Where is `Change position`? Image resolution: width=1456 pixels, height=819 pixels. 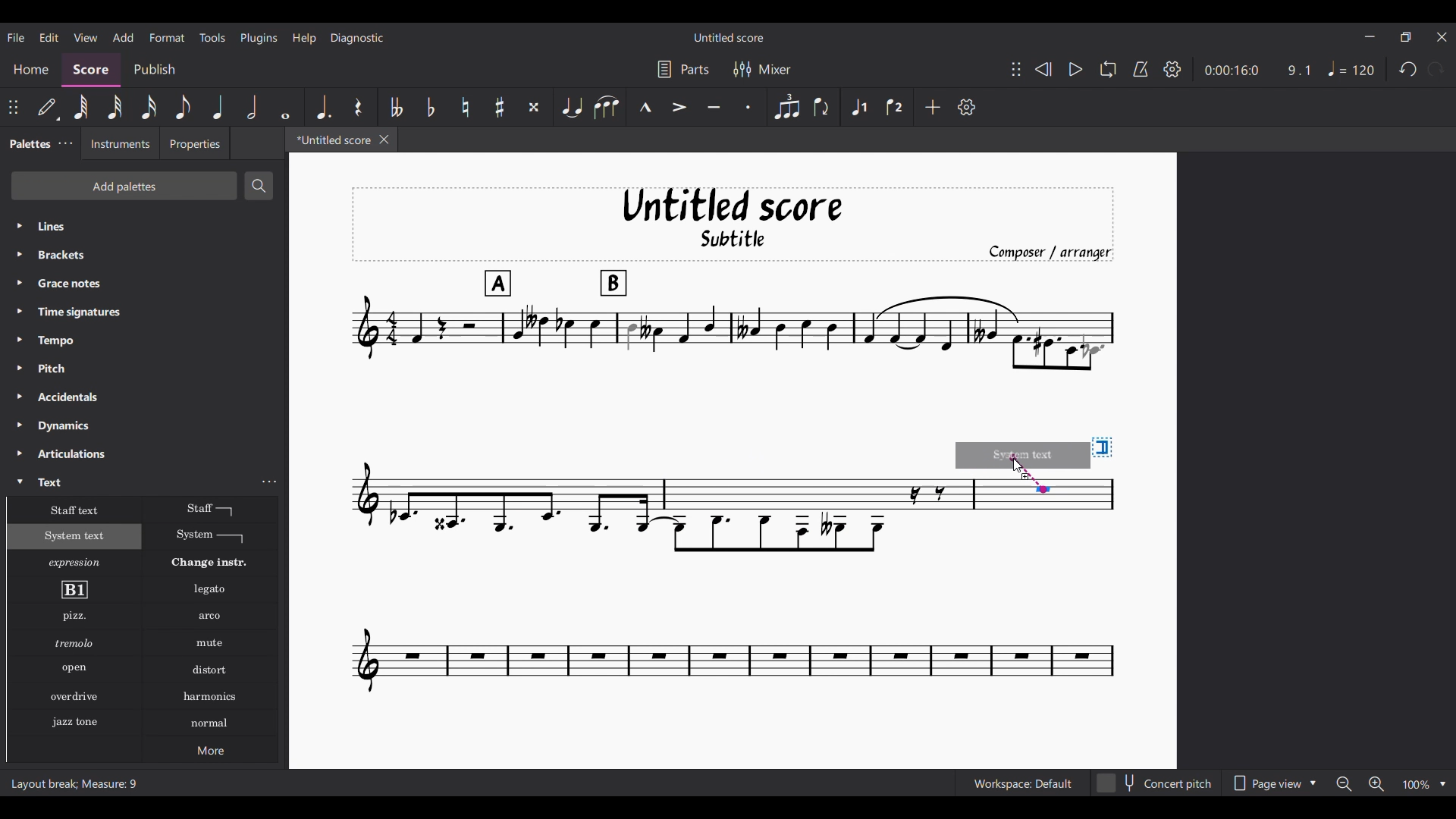
Change position is located at coordinates (1016, 69).